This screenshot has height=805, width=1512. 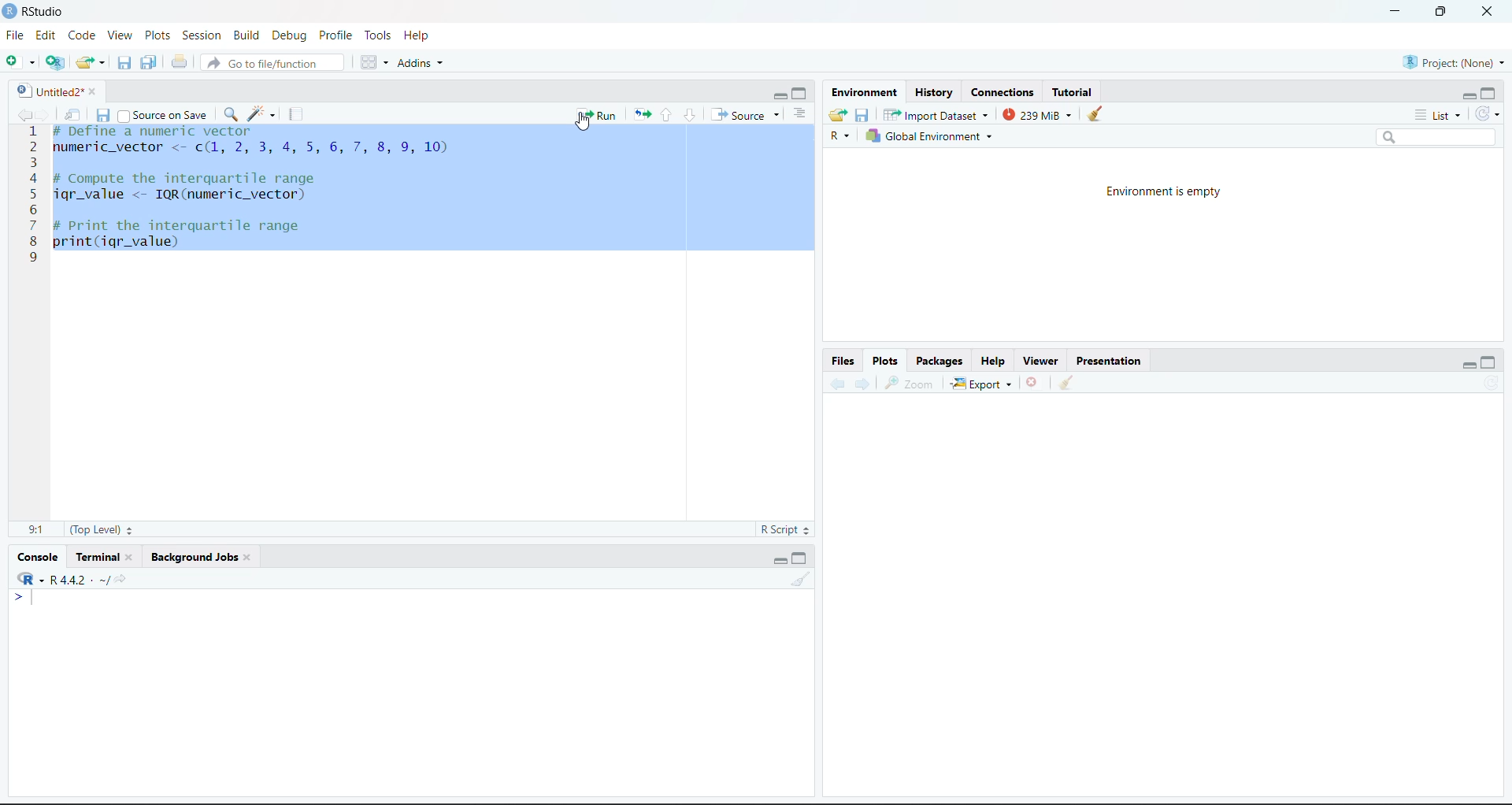 I want to click on Maximize, so click(x=1492, y=362).